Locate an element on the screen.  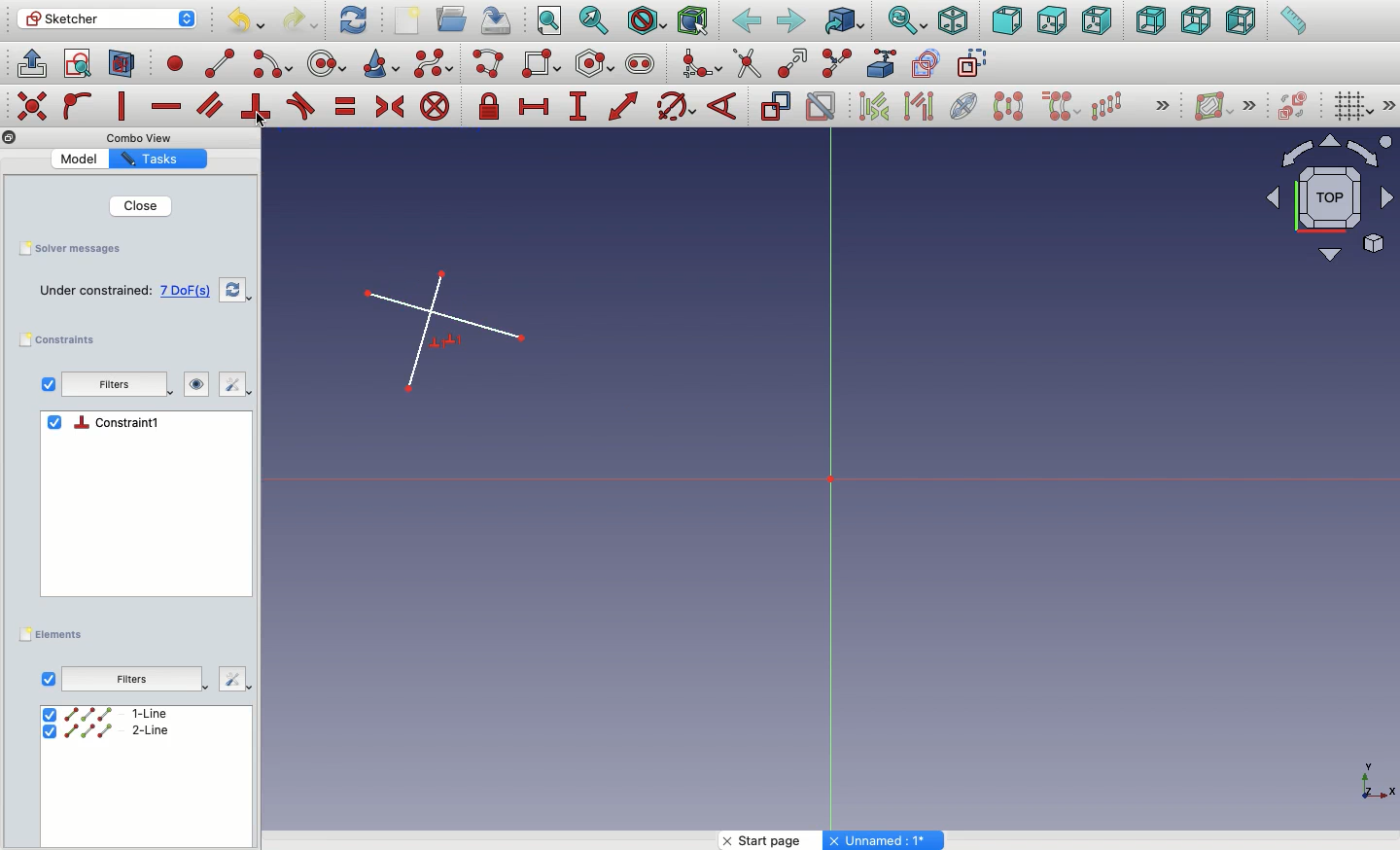
Top is located at coordinates (1050, 22).